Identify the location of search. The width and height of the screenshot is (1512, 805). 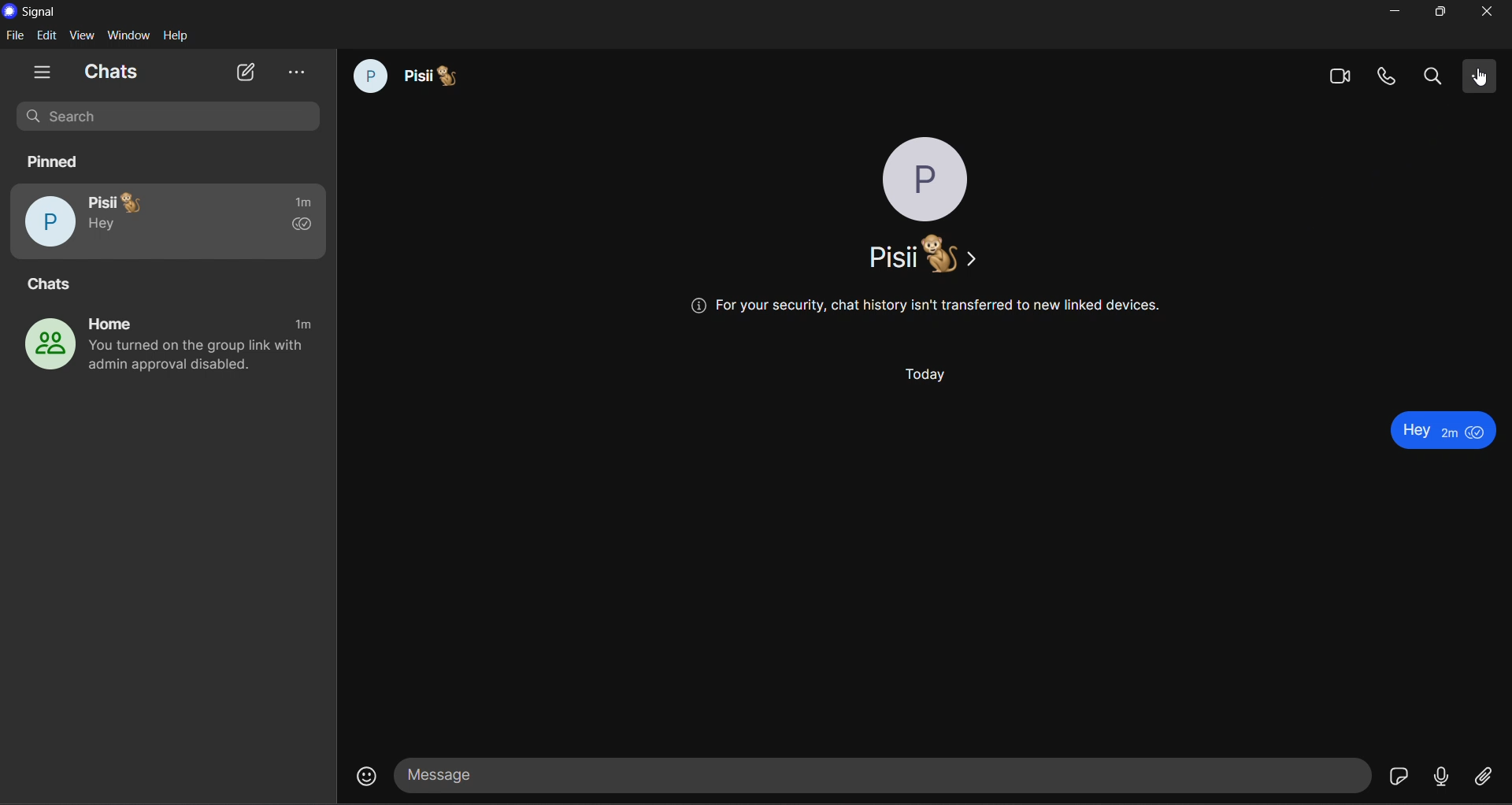
(176, 118).